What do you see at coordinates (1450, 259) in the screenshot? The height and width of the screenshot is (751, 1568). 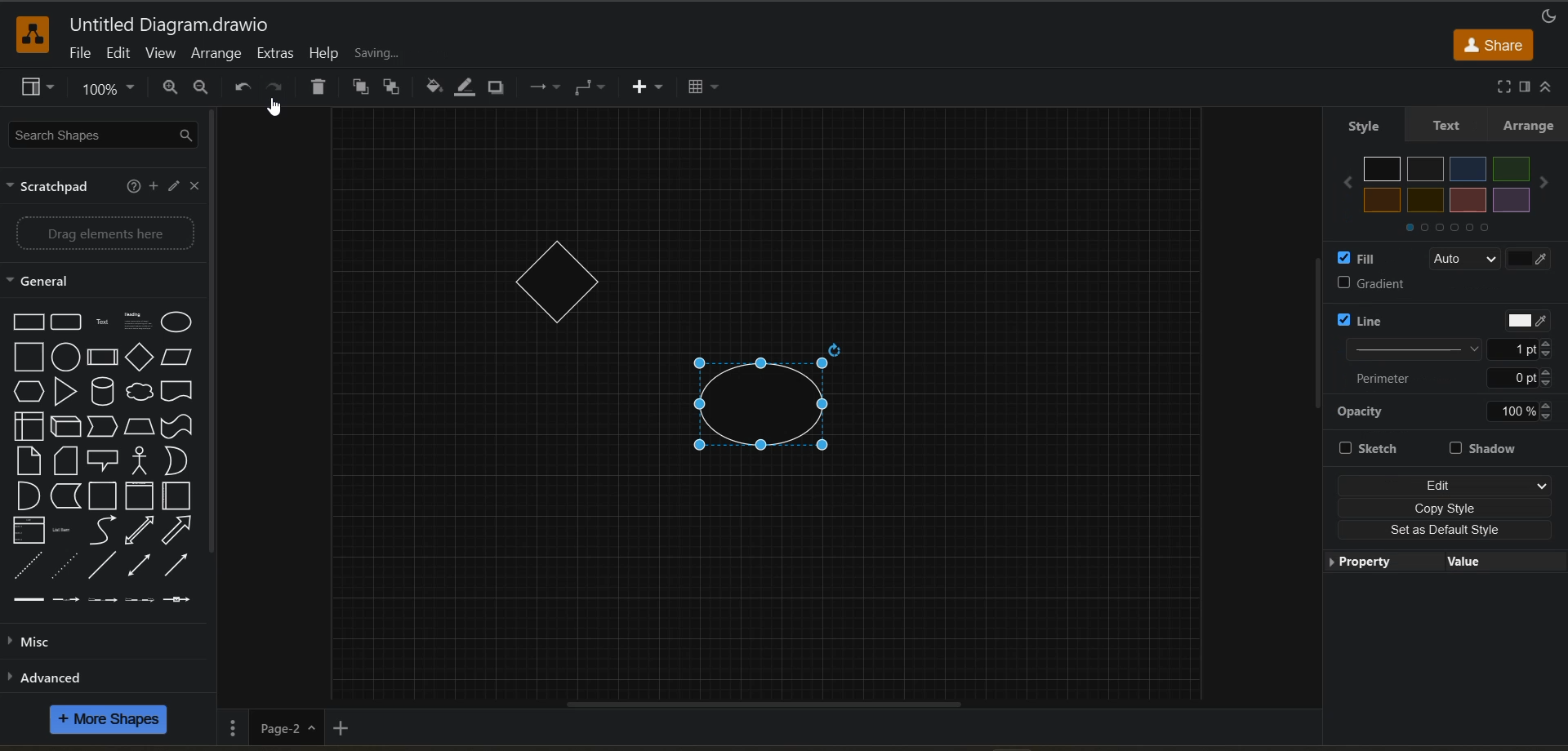 I see `fill` at bounding box center [1450, 259].